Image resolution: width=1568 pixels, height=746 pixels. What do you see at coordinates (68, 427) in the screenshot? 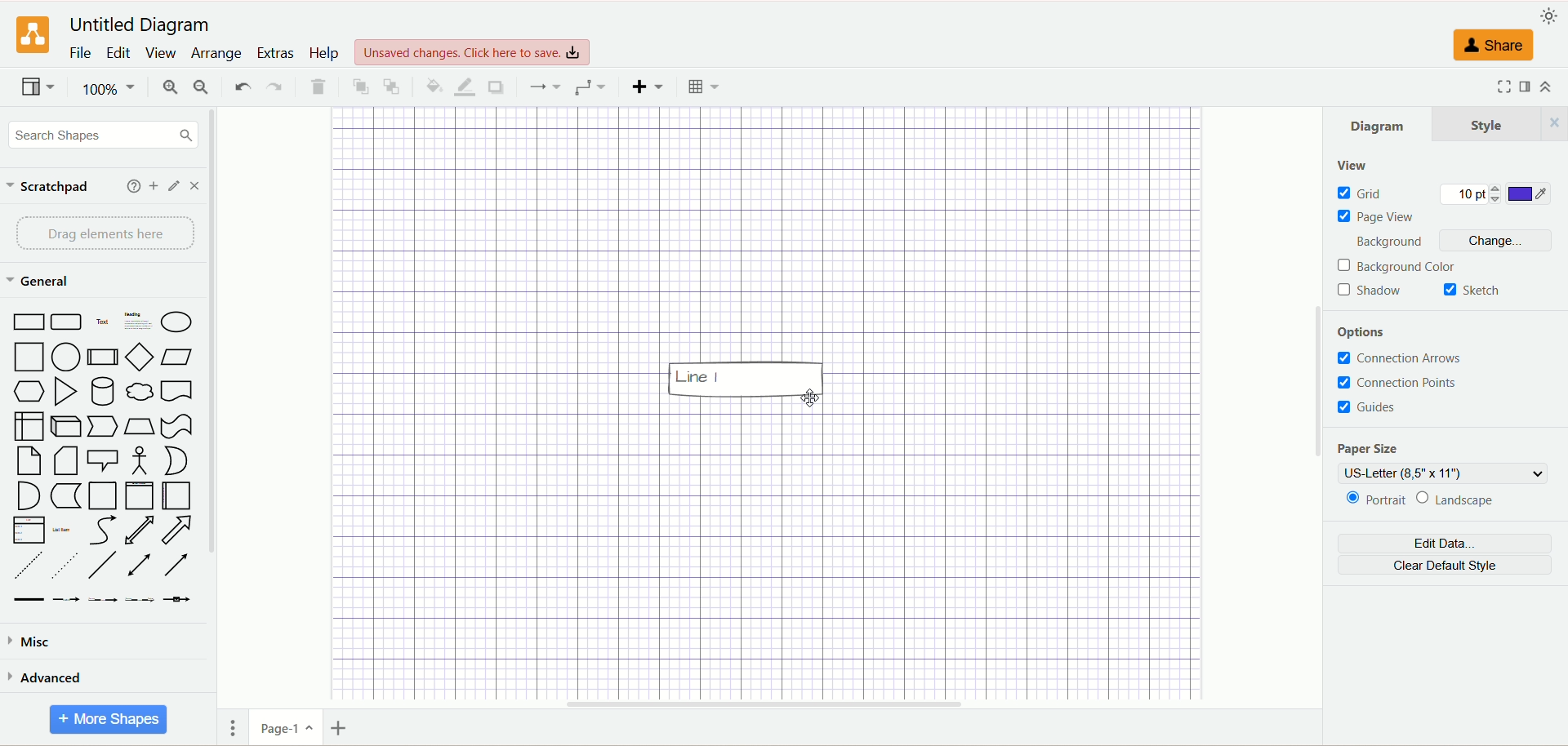
I see `Cube` at bounding box center [68, 427].